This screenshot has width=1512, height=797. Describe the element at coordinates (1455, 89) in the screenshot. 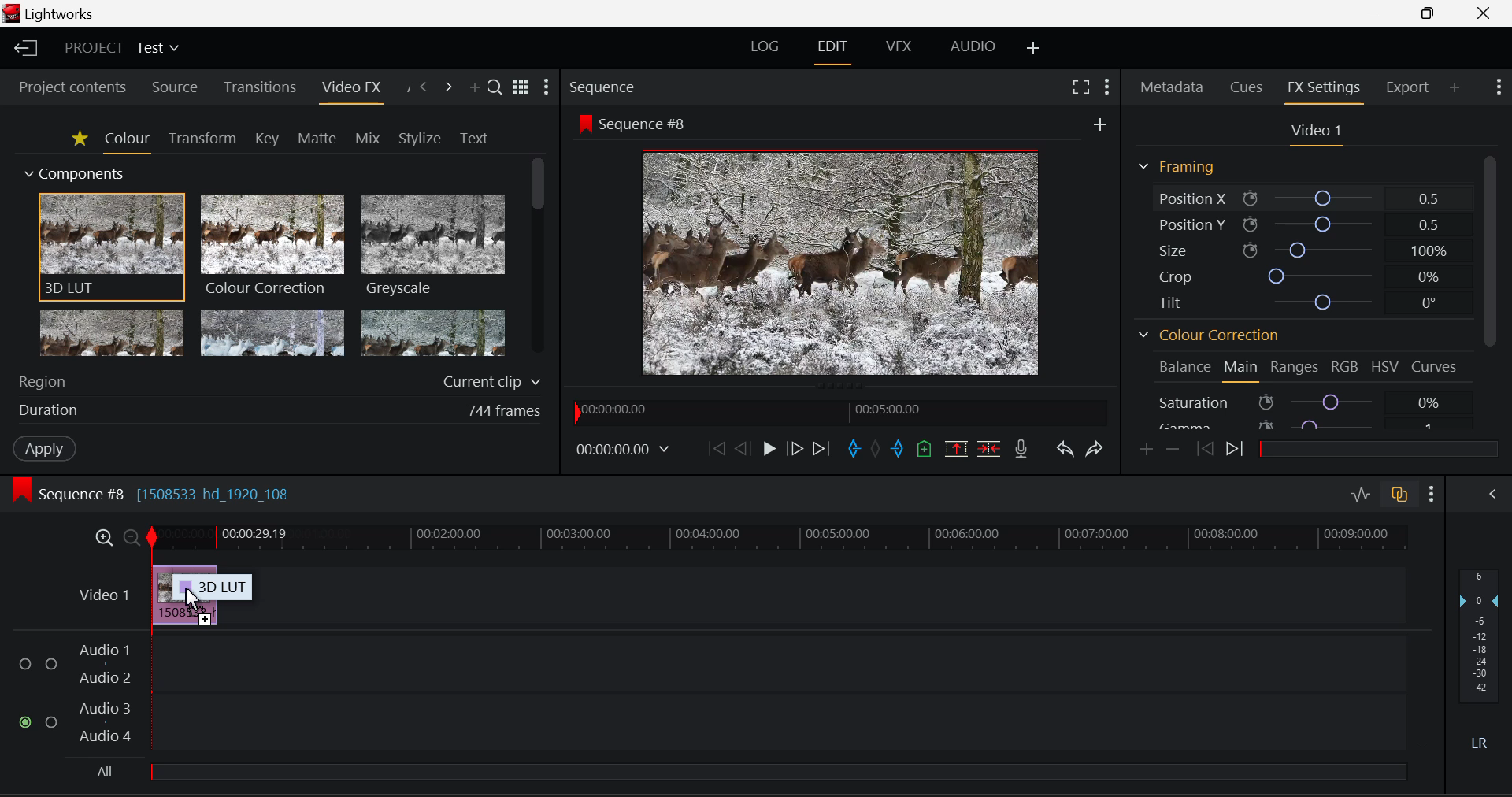

I see `Add Panel` at that location.